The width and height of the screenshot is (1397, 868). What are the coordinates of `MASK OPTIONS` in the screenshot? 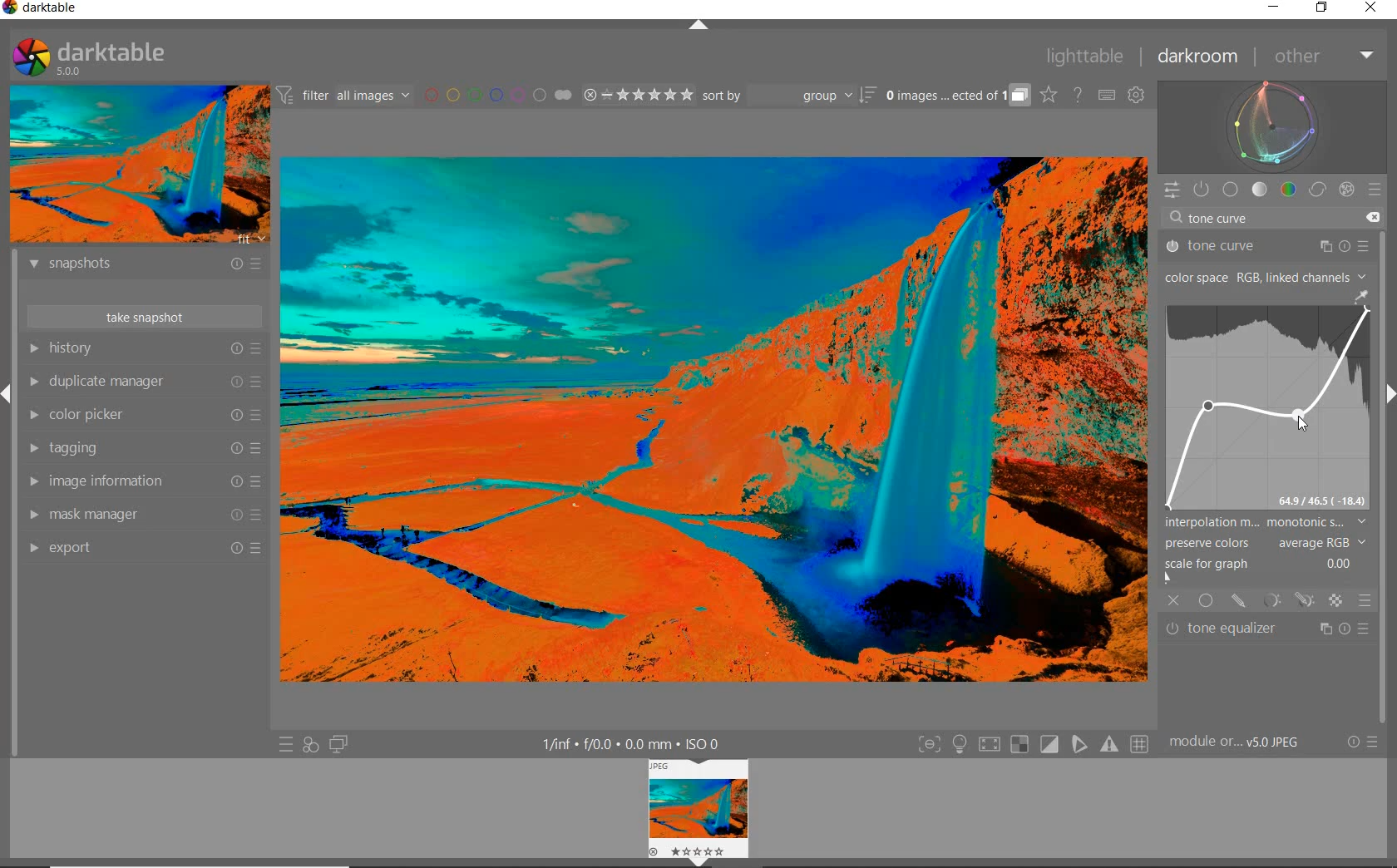 It's located at (1287, 601).